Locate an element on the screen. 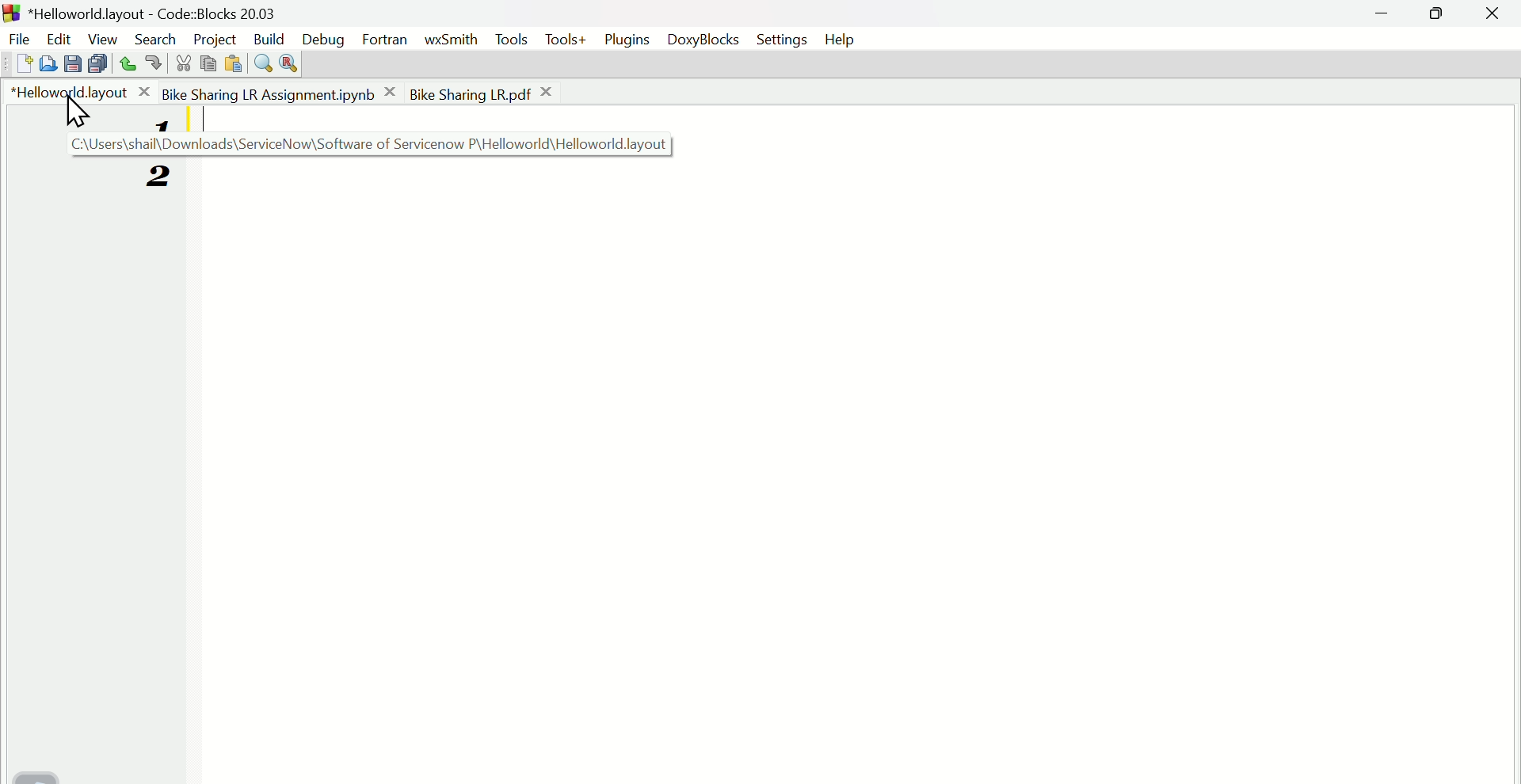 The image size is (1521, 784). minimise is located at coordinates (1387, 16).